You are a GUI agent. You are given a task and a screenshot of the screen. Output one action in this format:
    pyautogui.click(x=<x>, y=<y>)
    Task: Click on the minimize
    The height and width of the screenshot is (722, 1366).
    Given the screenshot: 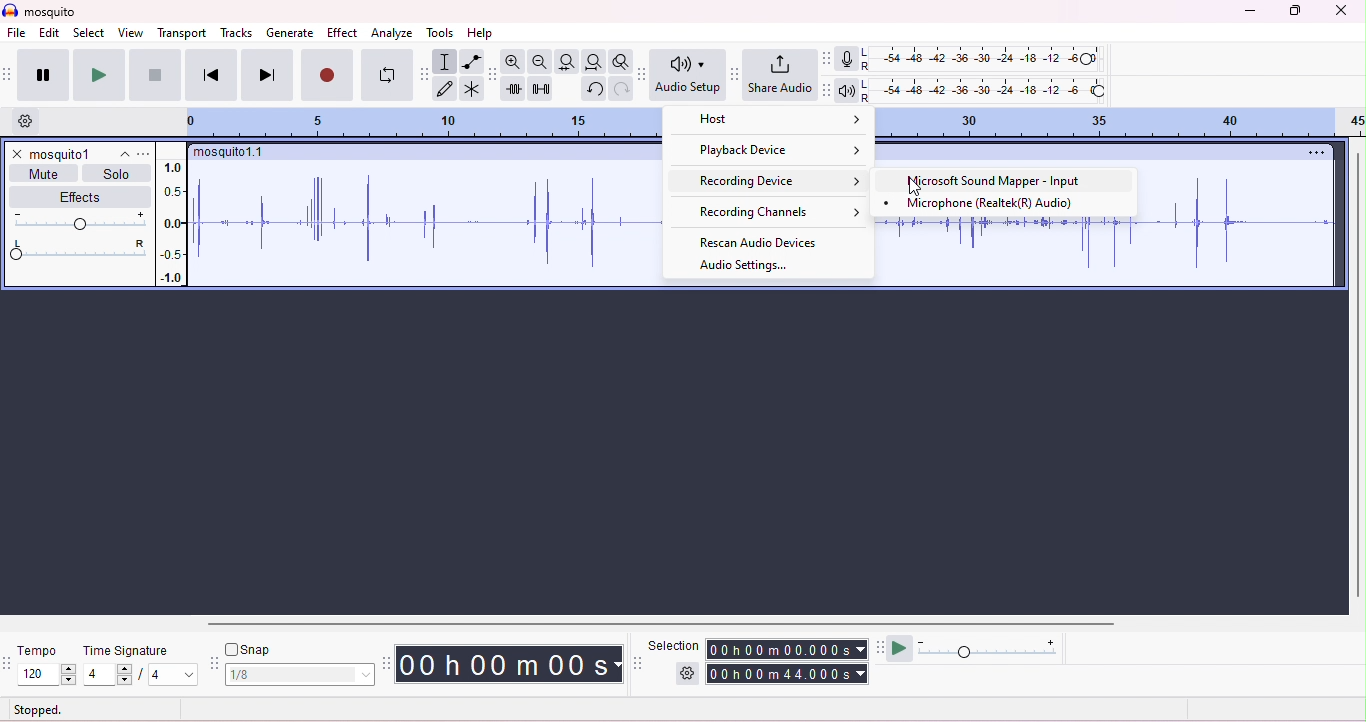 What is the action you would take?
    pyautogui.click(x=1248, y=12)
    